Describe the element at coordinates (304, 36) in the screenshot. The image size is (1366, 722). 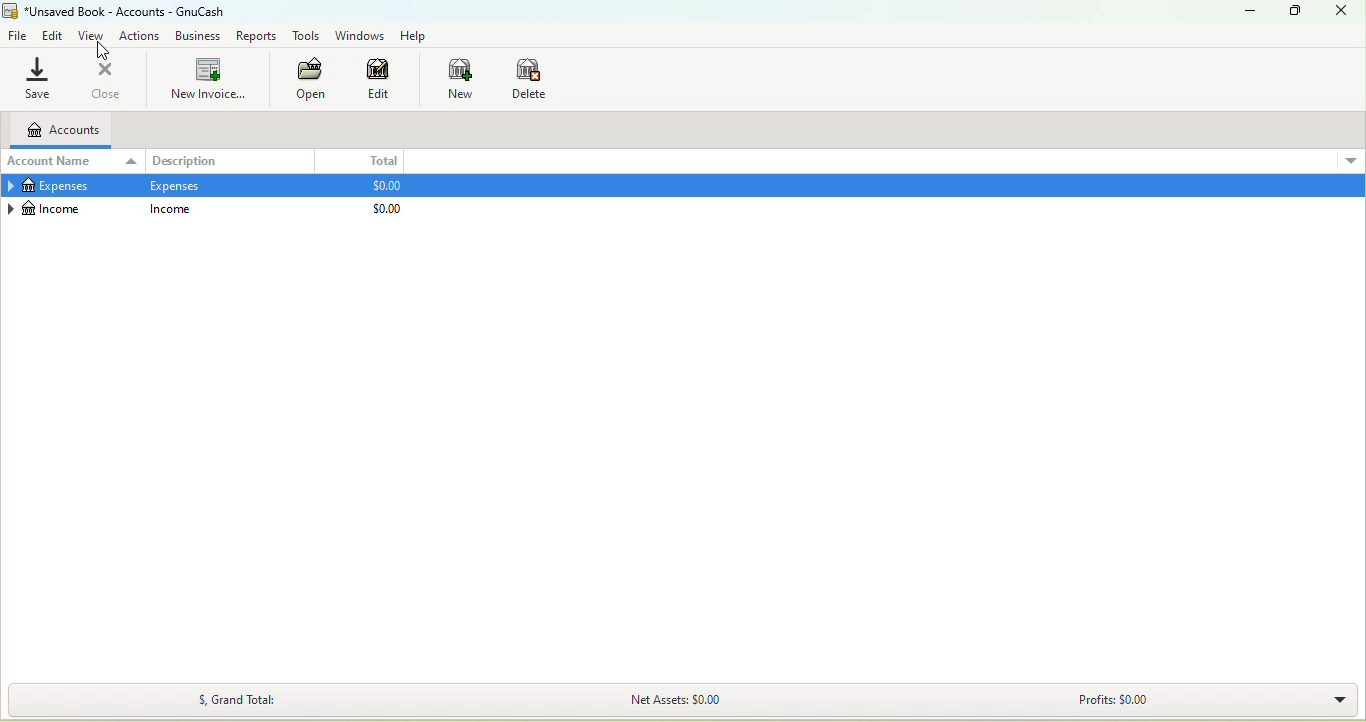
I see `Tools` at that location.